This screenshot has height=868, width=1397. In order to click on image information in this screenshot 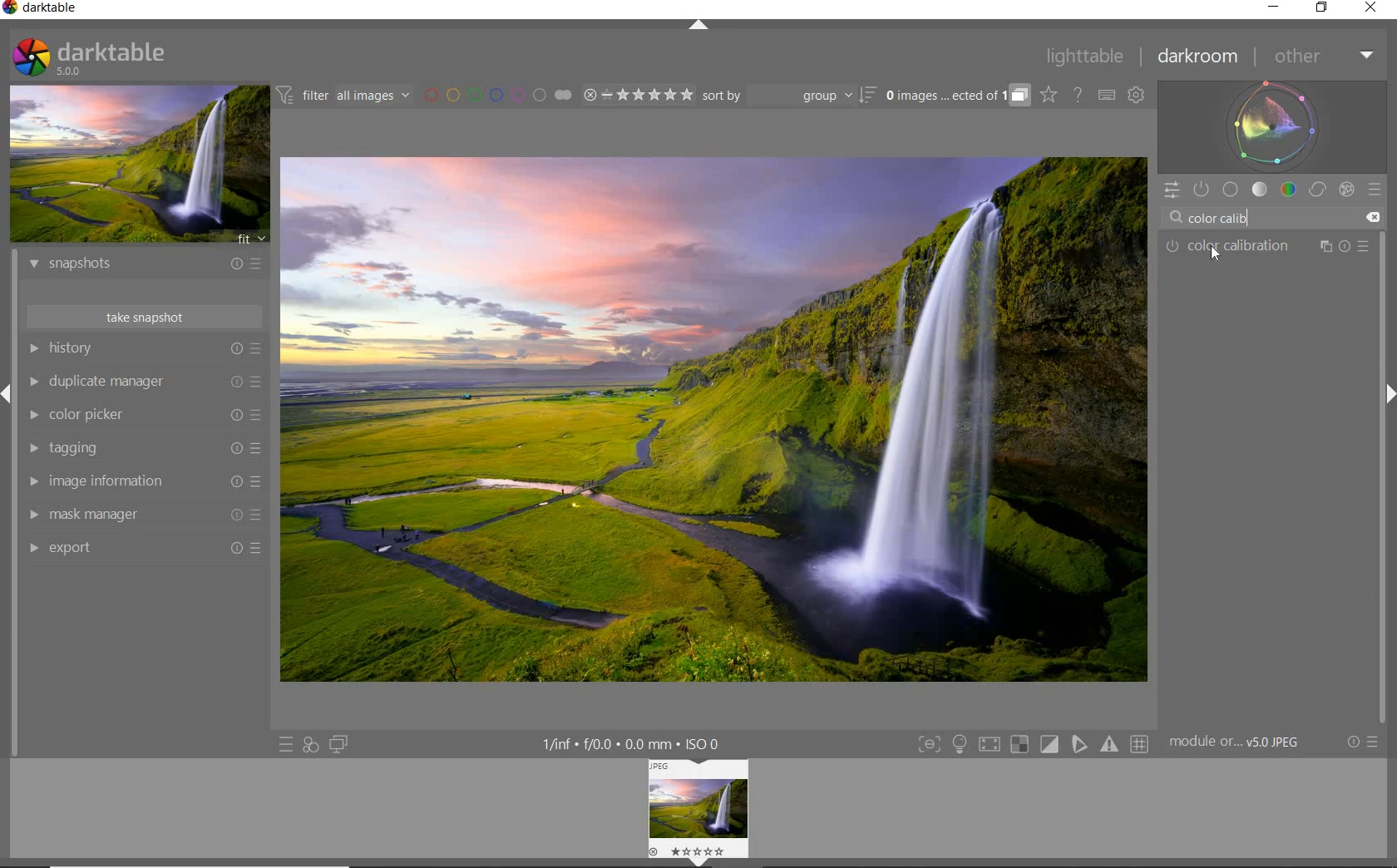, I will do `click(143, 481)`.